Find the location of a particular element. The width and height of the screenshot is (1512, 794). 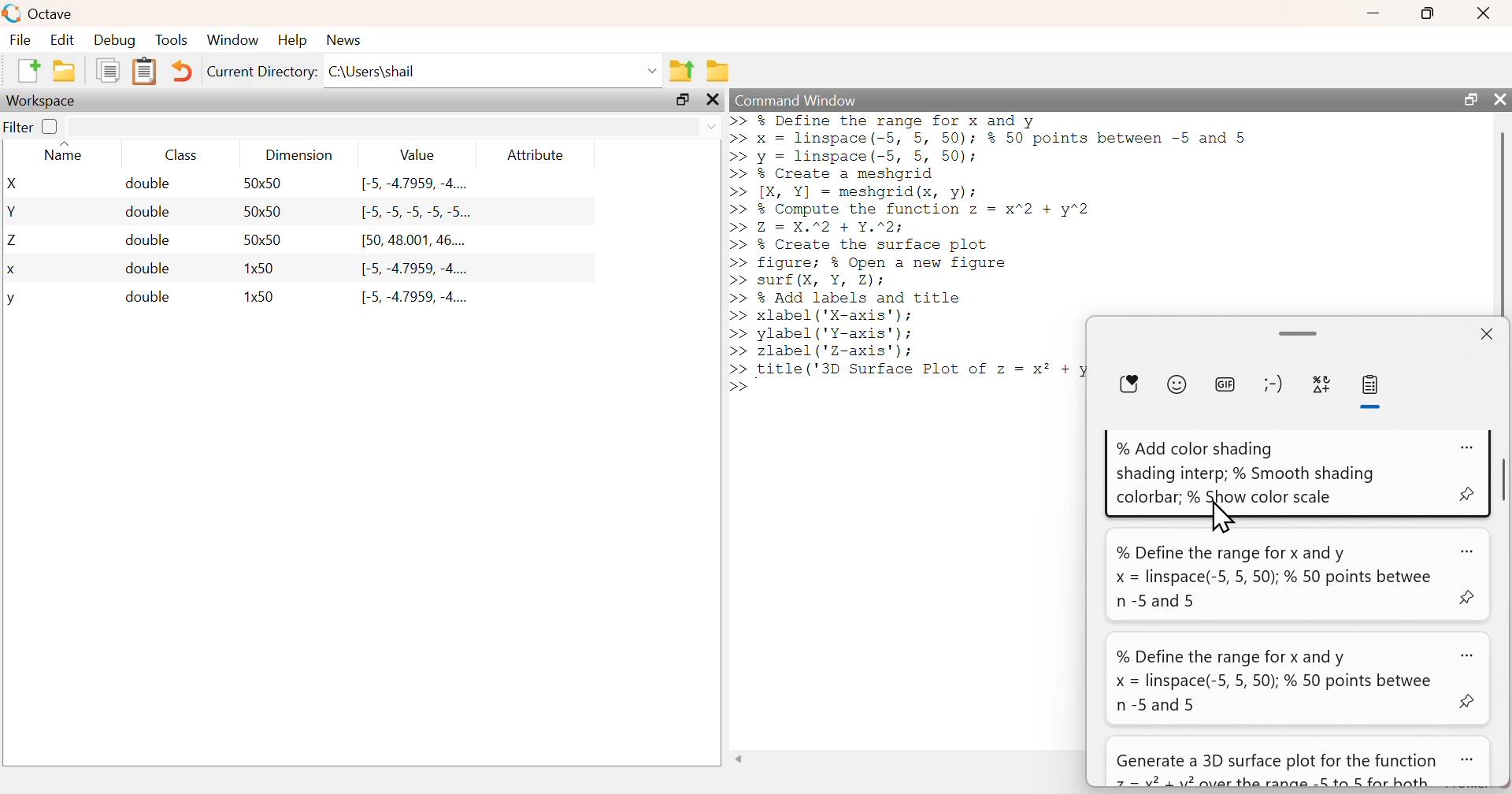

Current Directory: is located at coordinates (263, 72).